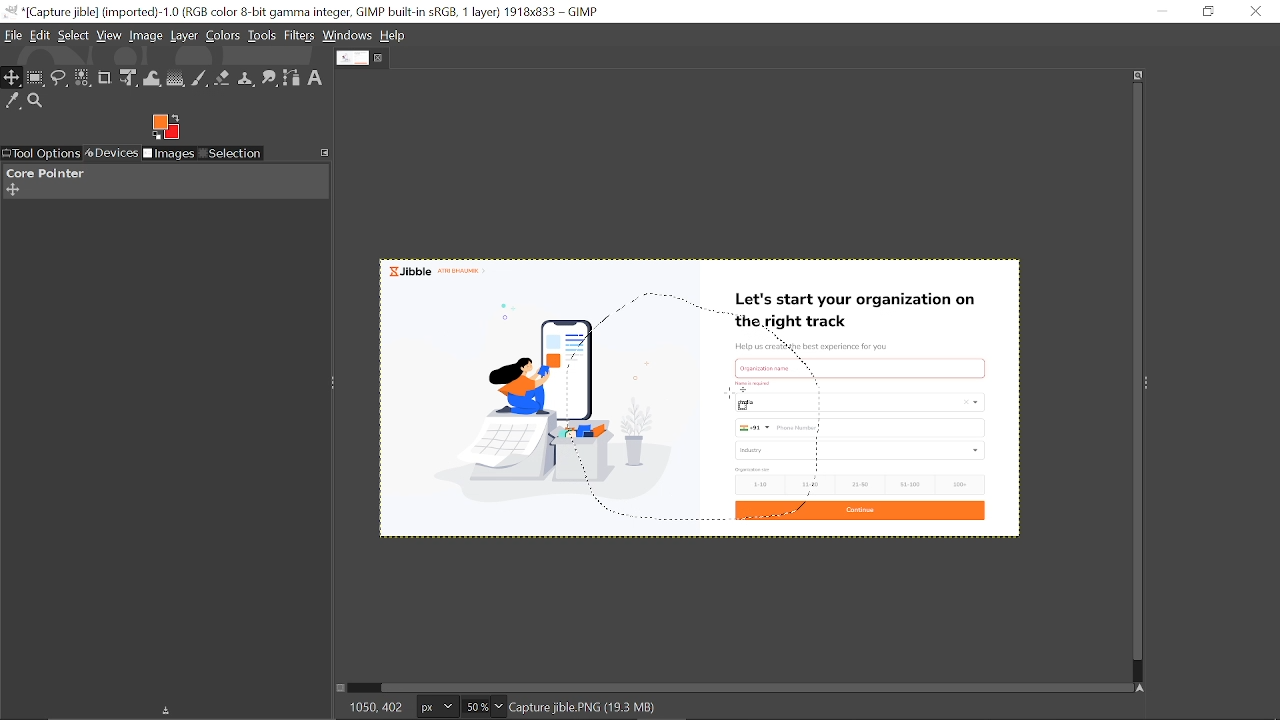 This screenshot has height=720, width=1280. I want to click on country, so click(864, 402).